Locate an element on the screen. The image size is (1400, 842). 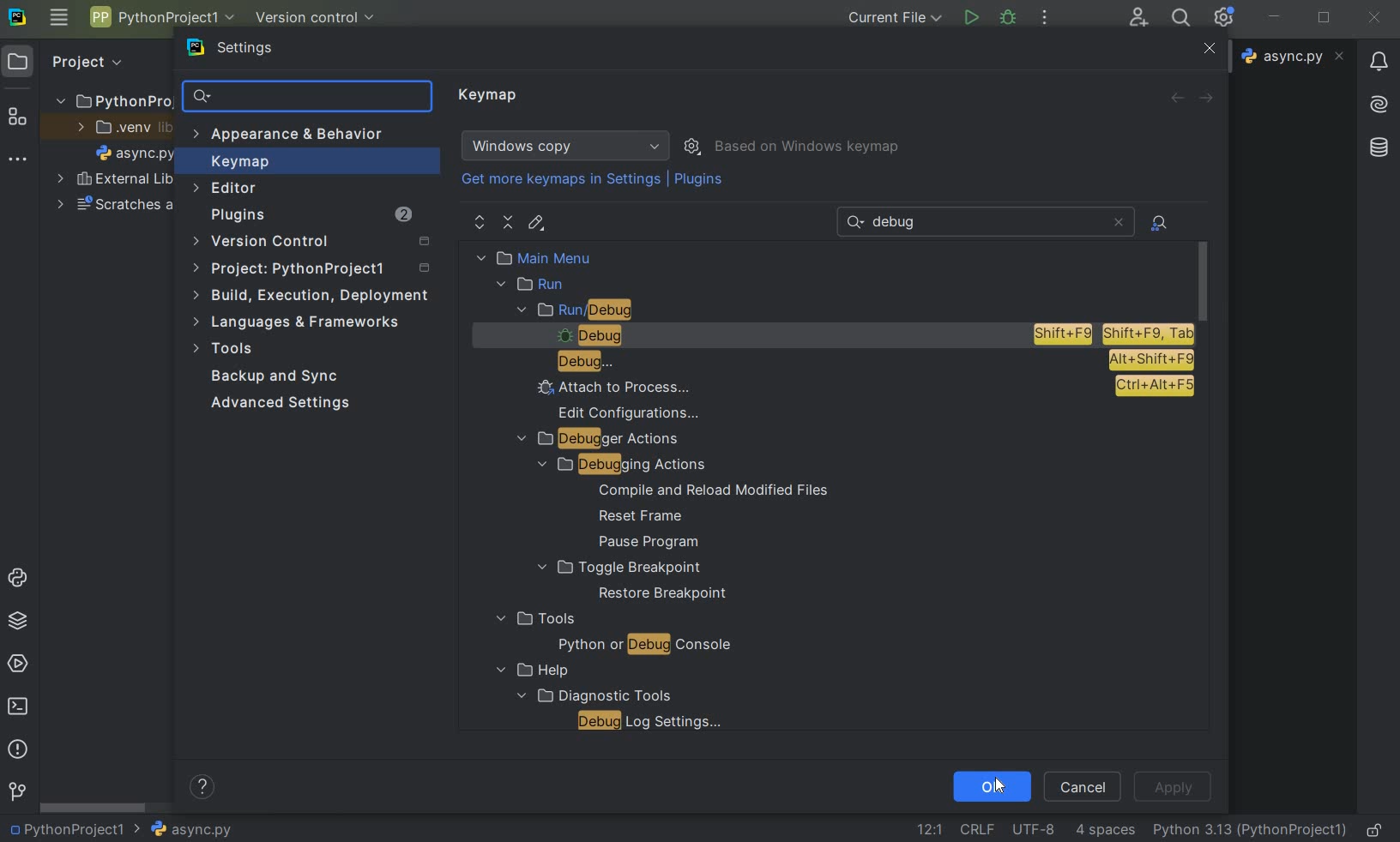
text is located at coordinates (901, 223).